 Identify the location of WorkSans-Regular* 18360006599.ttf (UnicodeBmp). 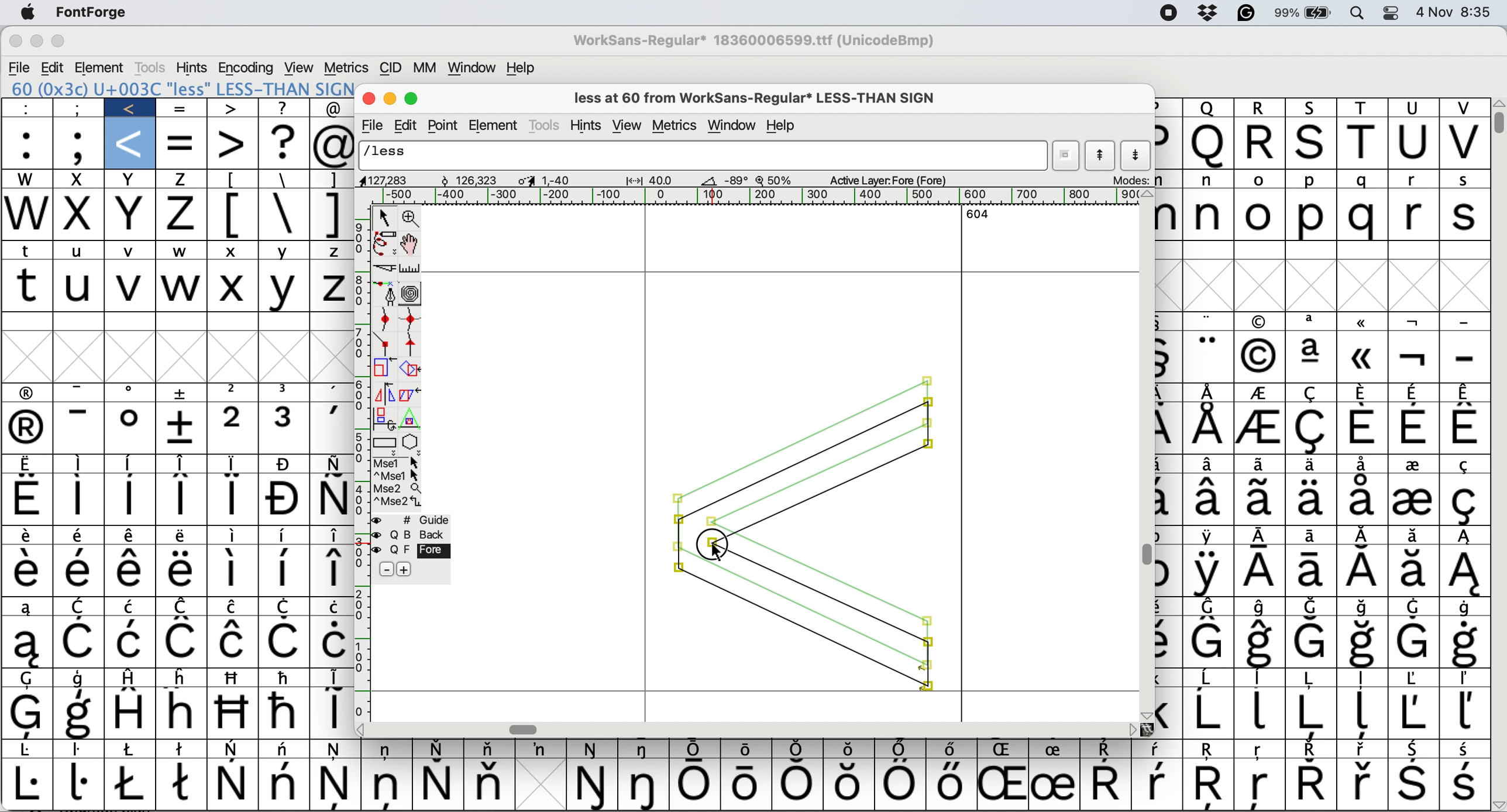
(756, 40).